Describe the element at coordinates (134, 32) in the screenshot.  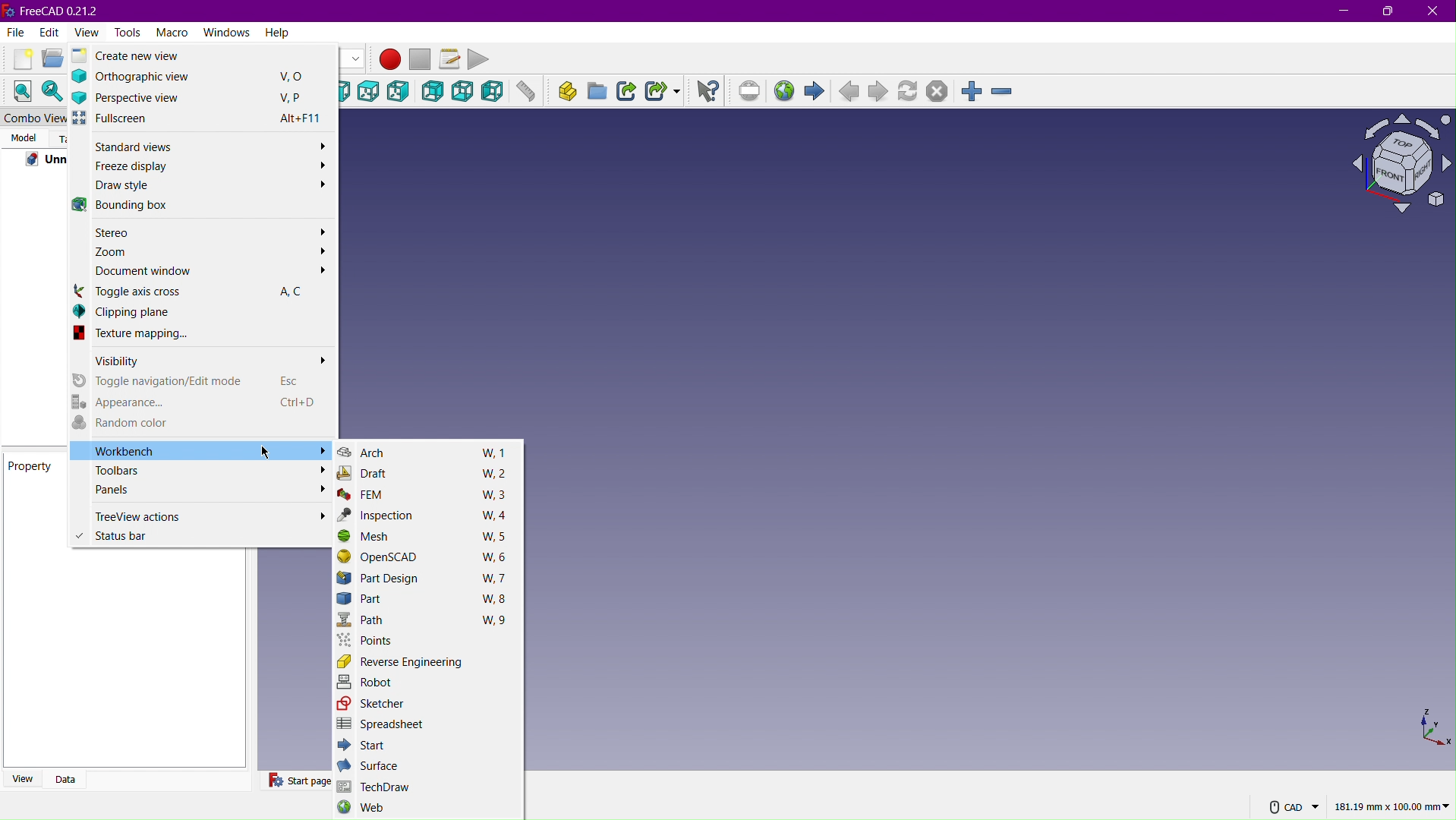
I see `Tools` at that location.